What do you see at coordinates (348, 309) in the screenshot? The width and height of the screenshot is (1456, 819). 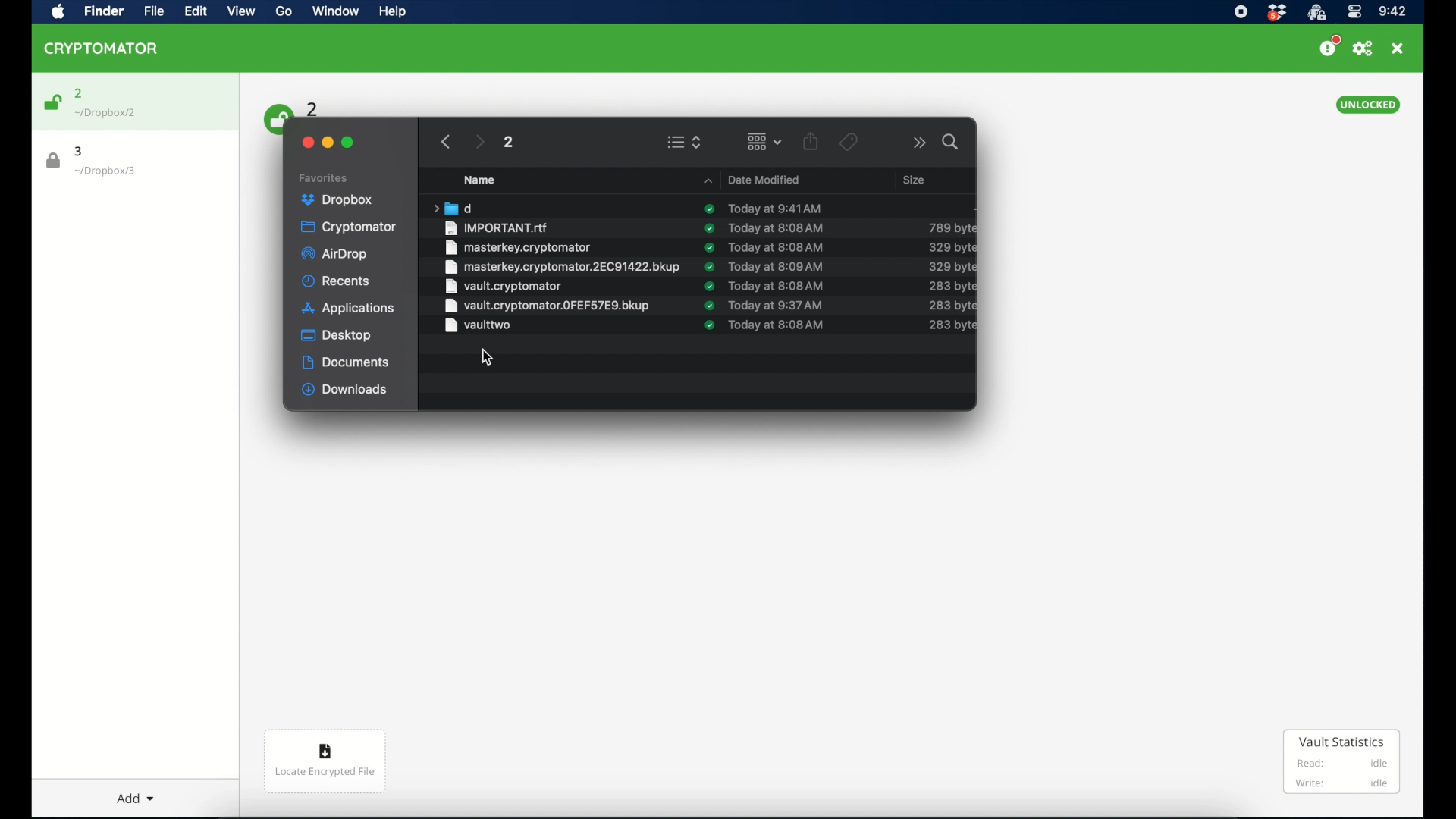 I see `applications` at bounding box center [348, 309].